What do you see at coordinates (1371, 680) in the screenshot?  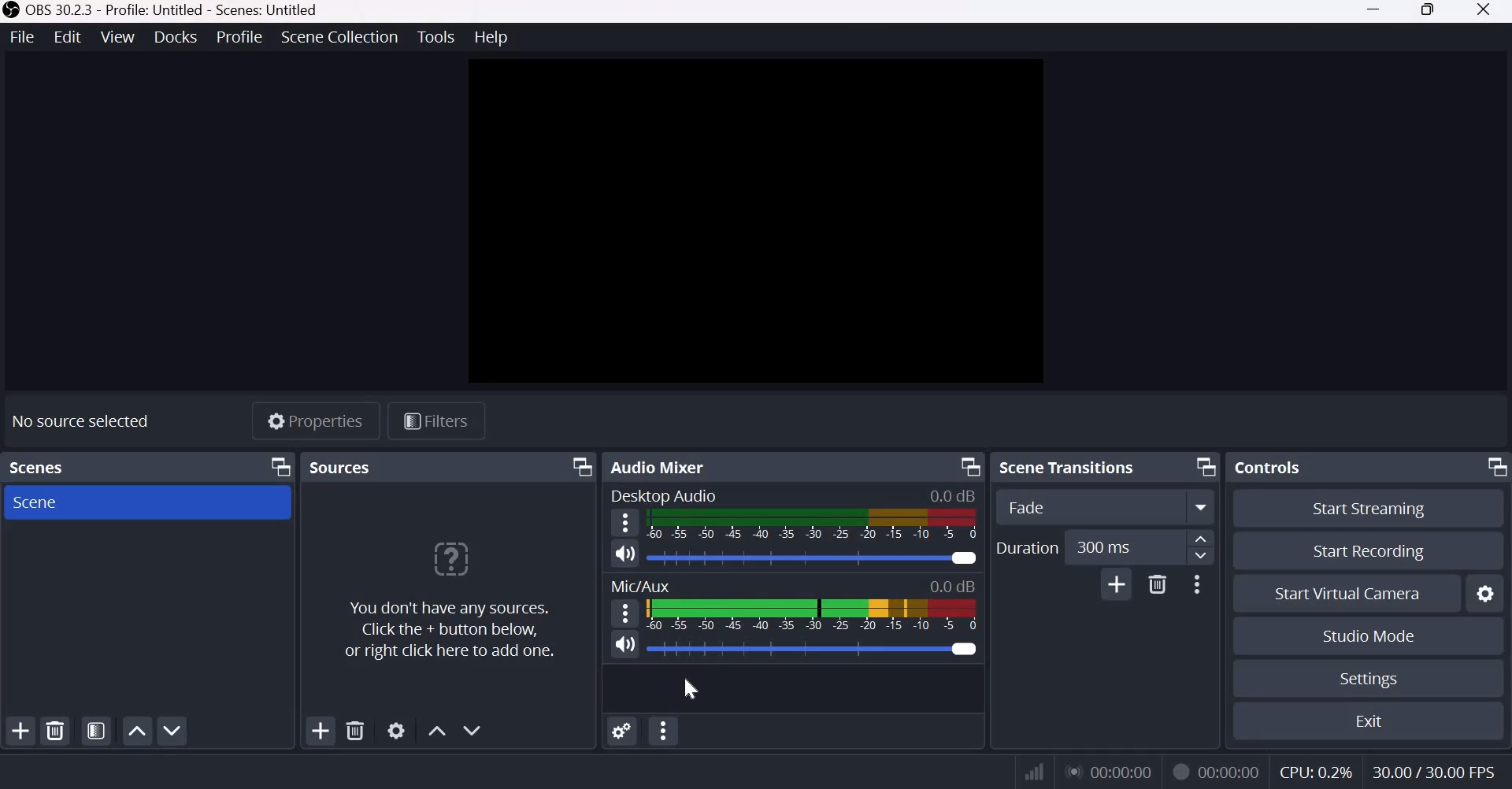 I see `Settings` at bounding box center [1371, 680].